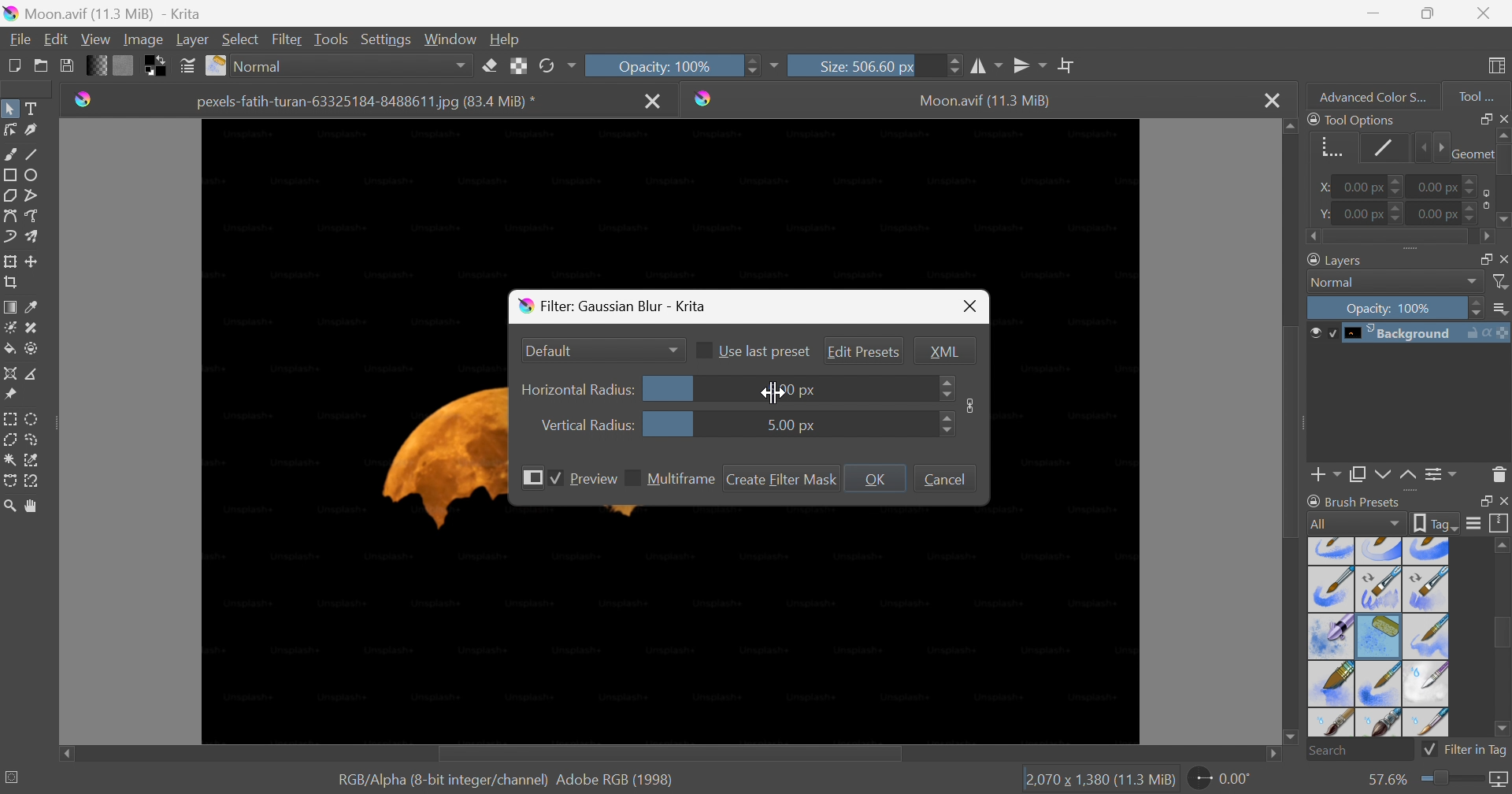 The image size is (1512, 794). What do you see at coordinates (1222, 777) in the screenshot?
I see `0.00°` at bounding box center [1222, 777].